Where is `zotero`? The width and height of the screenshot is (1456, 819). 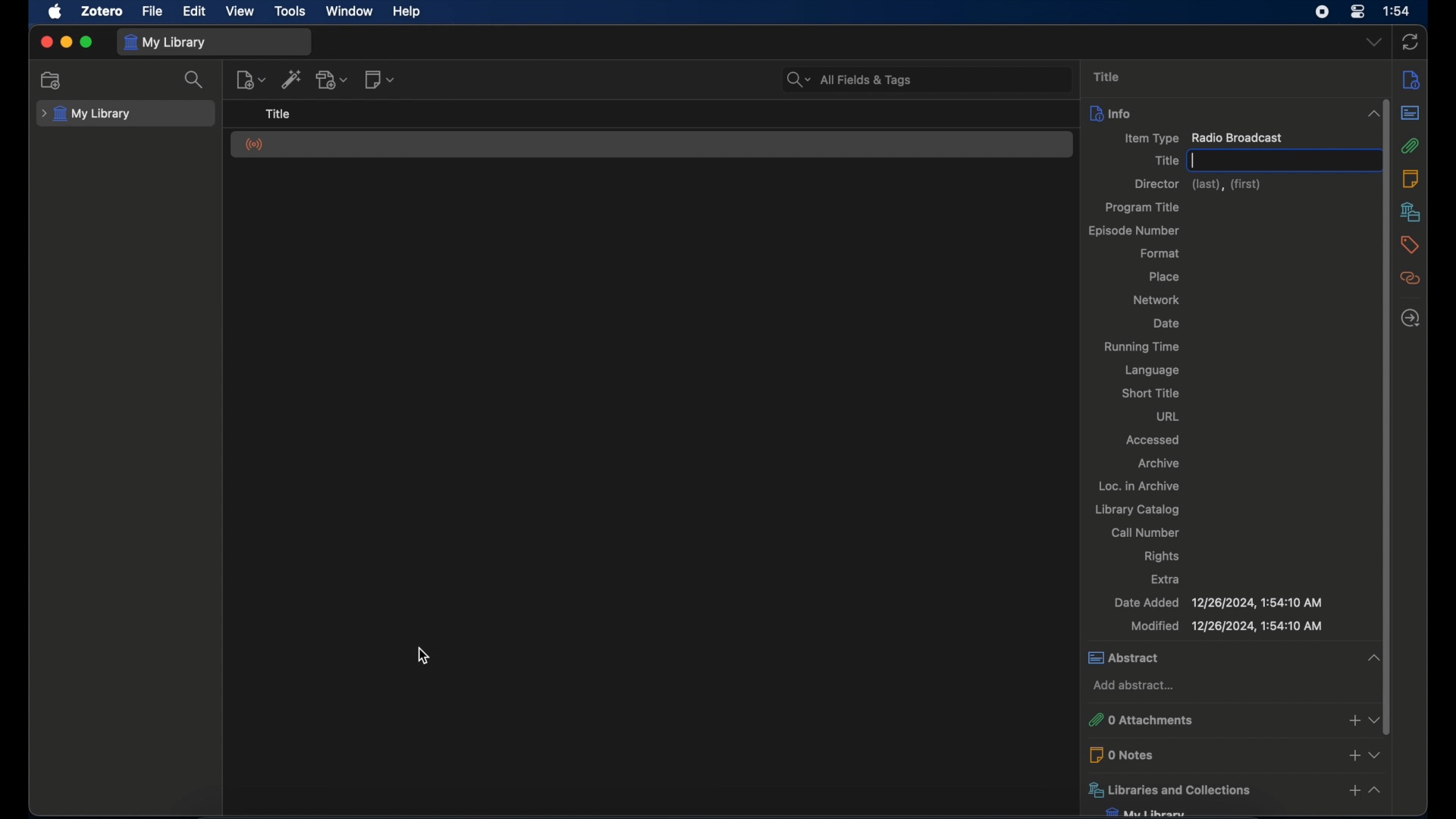
zotero is located at coordinates (102, 11).